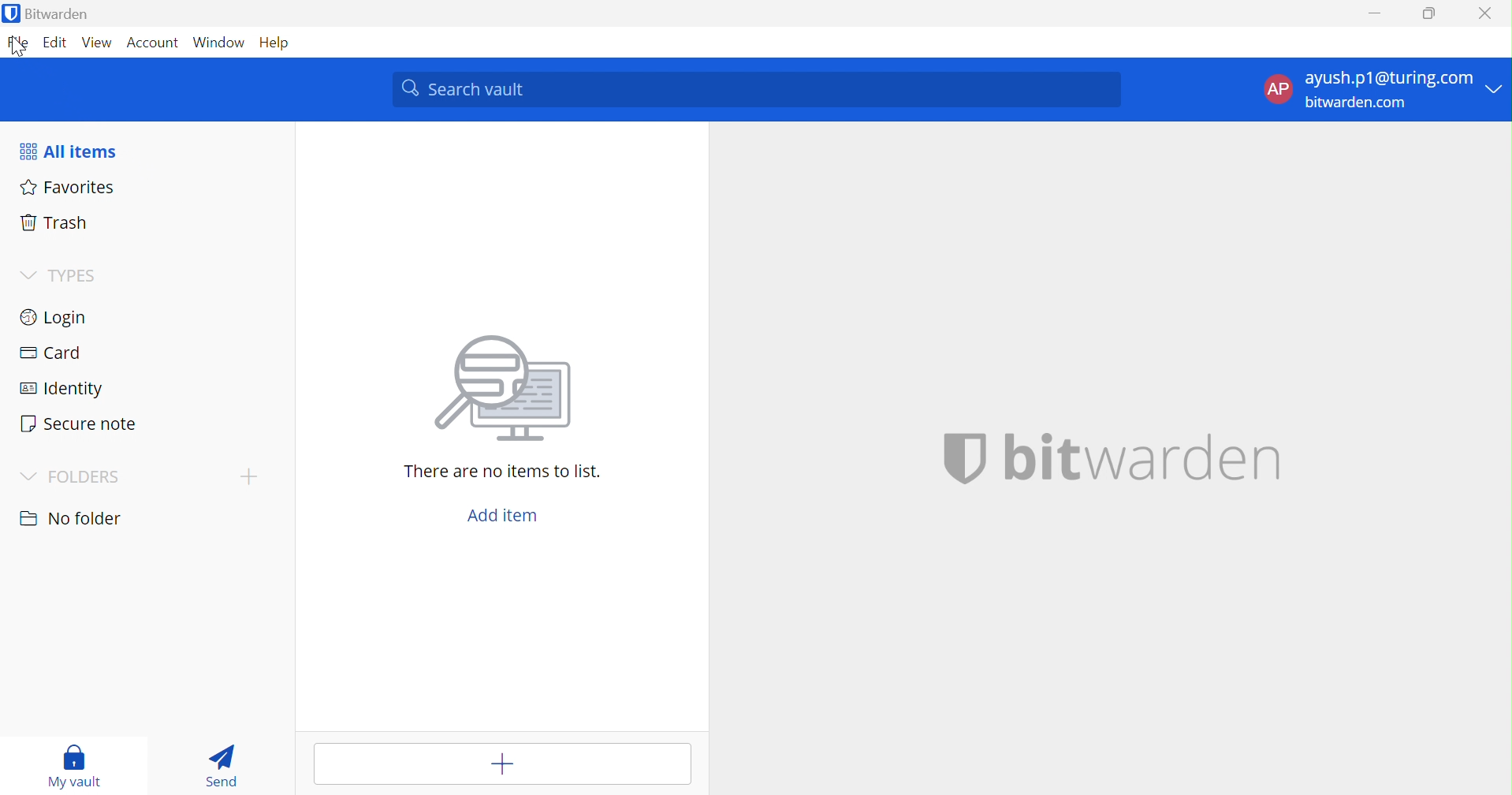  What do you see at coordinates (70, 151) in the screenshot?
I see `All items` at bounding box center [70, 151].